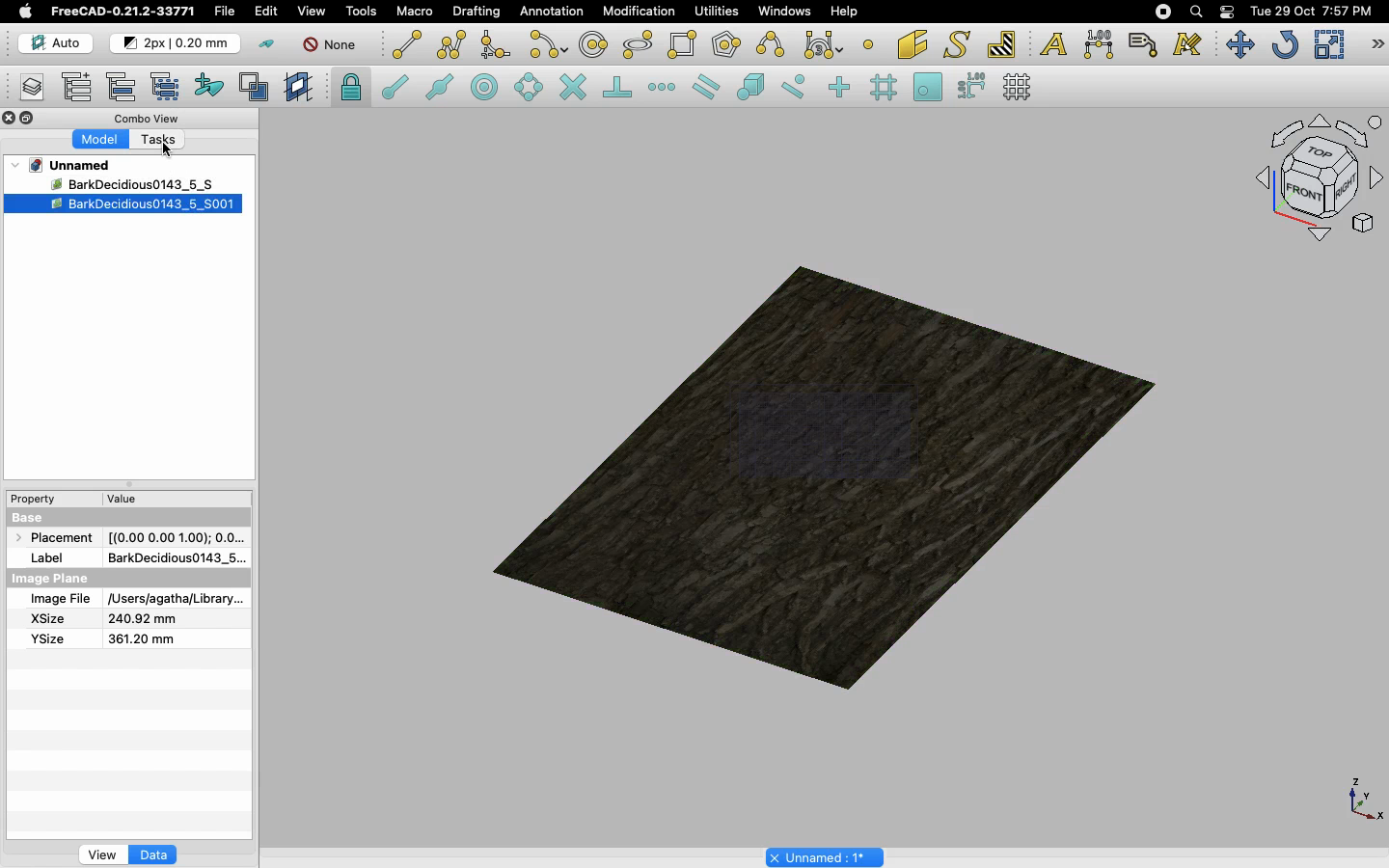  Describe the element at coordinates (620, 89) in the screenshot. I see `Snap perpendicular` at that location.